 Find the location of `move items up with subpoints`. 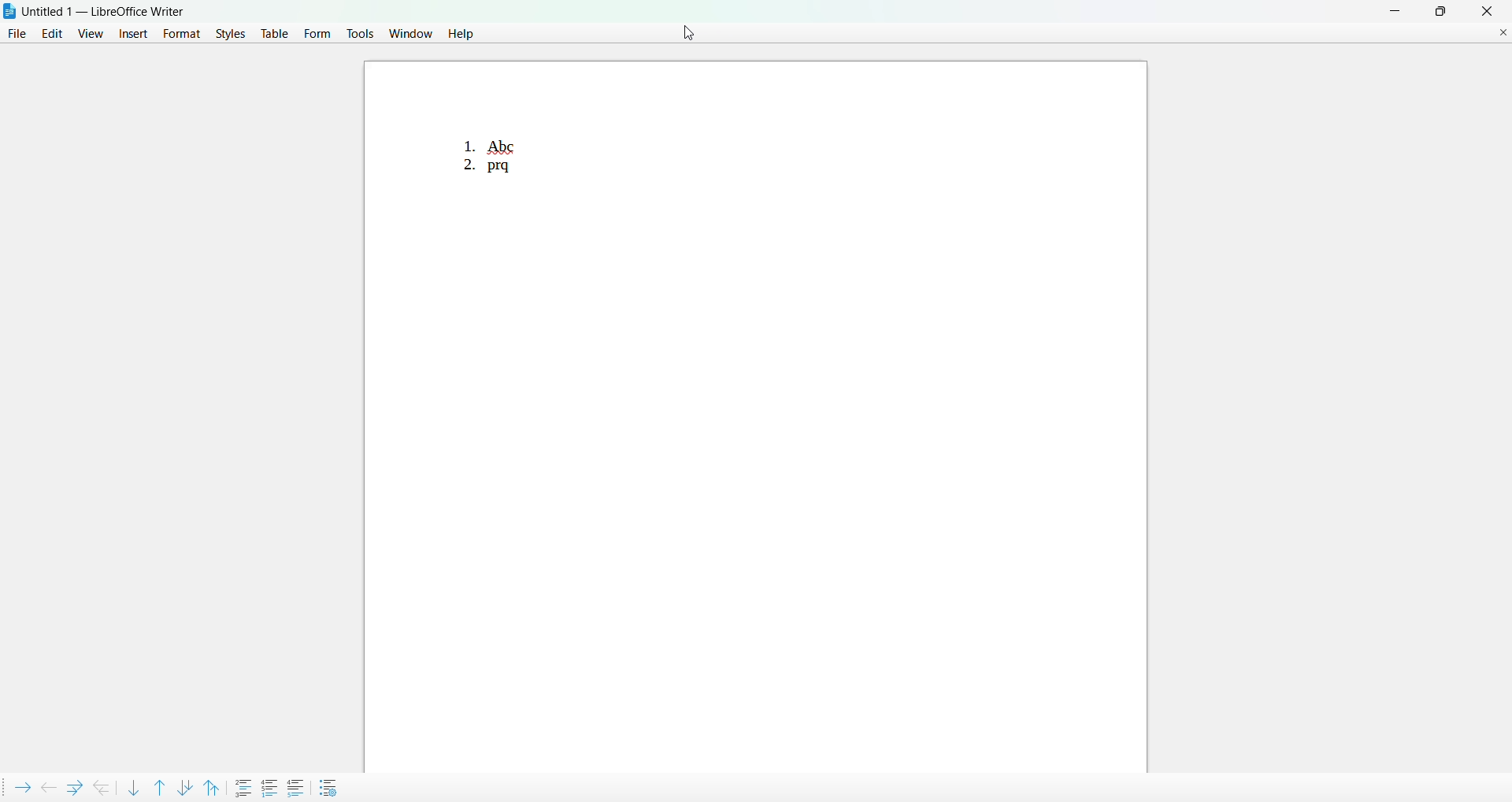

move items up with subpoints is located at coordinates (213, 786).